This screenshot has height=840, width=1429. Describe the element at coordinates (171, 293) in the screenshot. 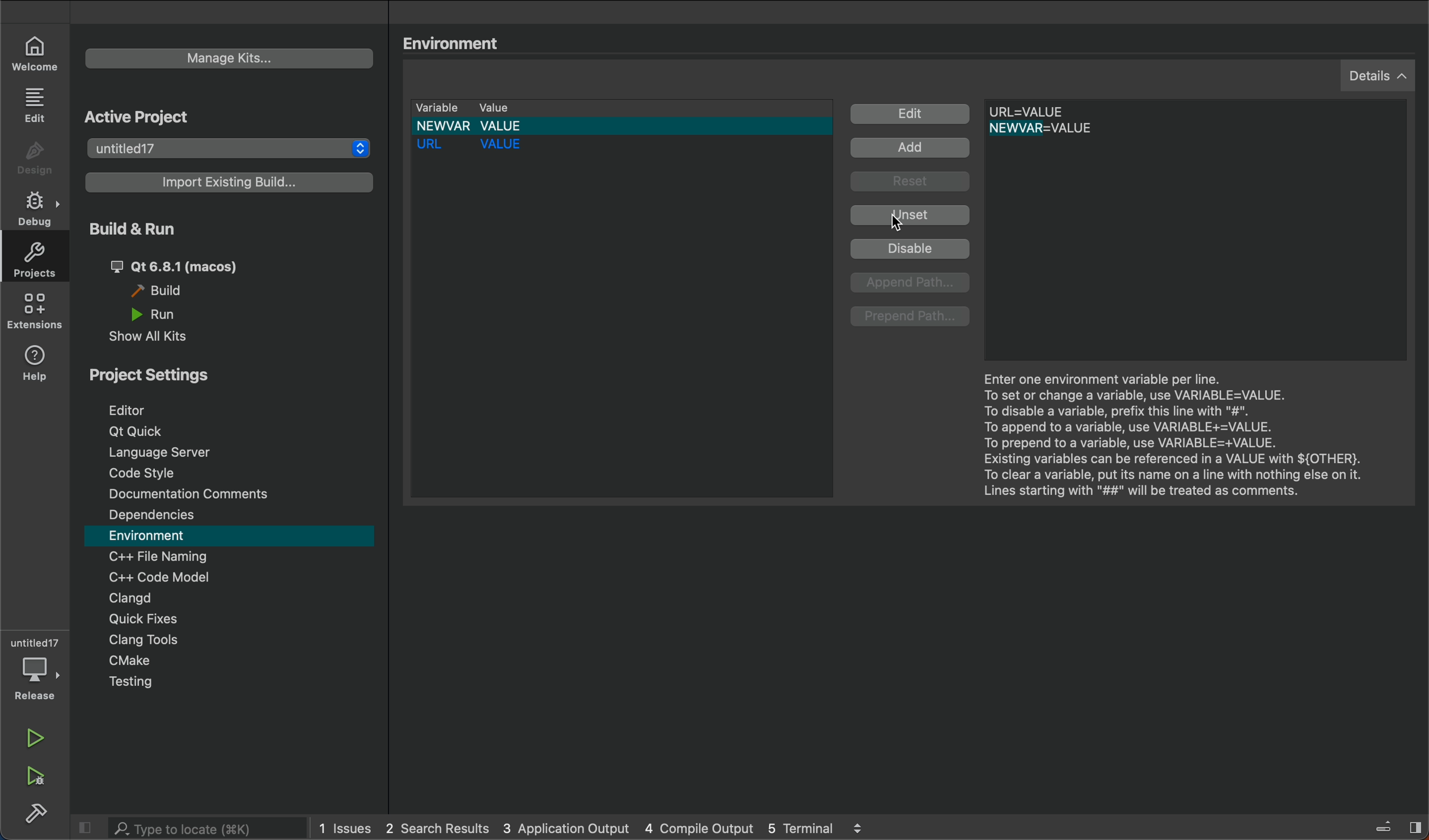

I see `build` at that location.